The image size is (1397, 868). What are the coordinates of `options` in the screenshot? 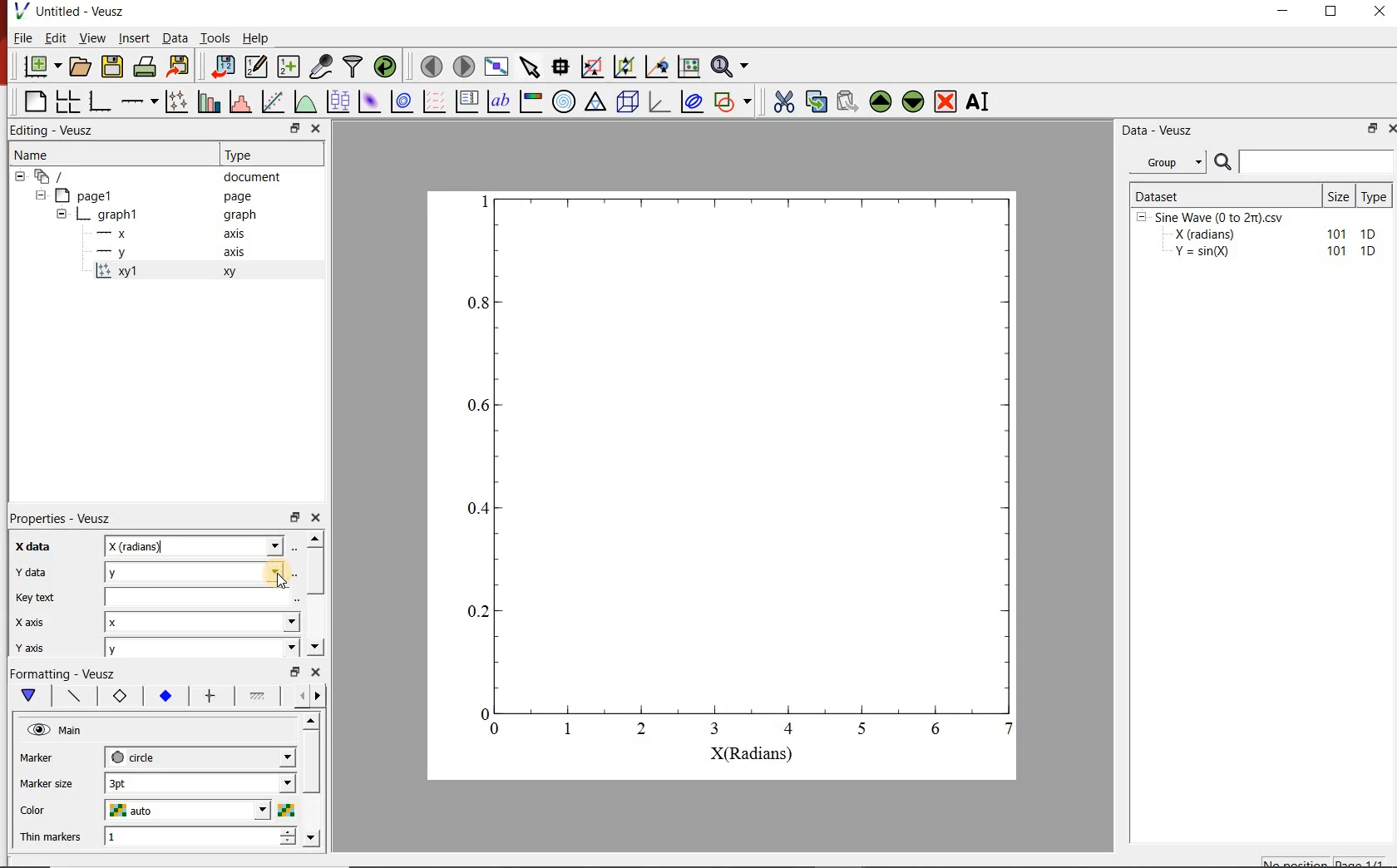 It's located at (257, 698).